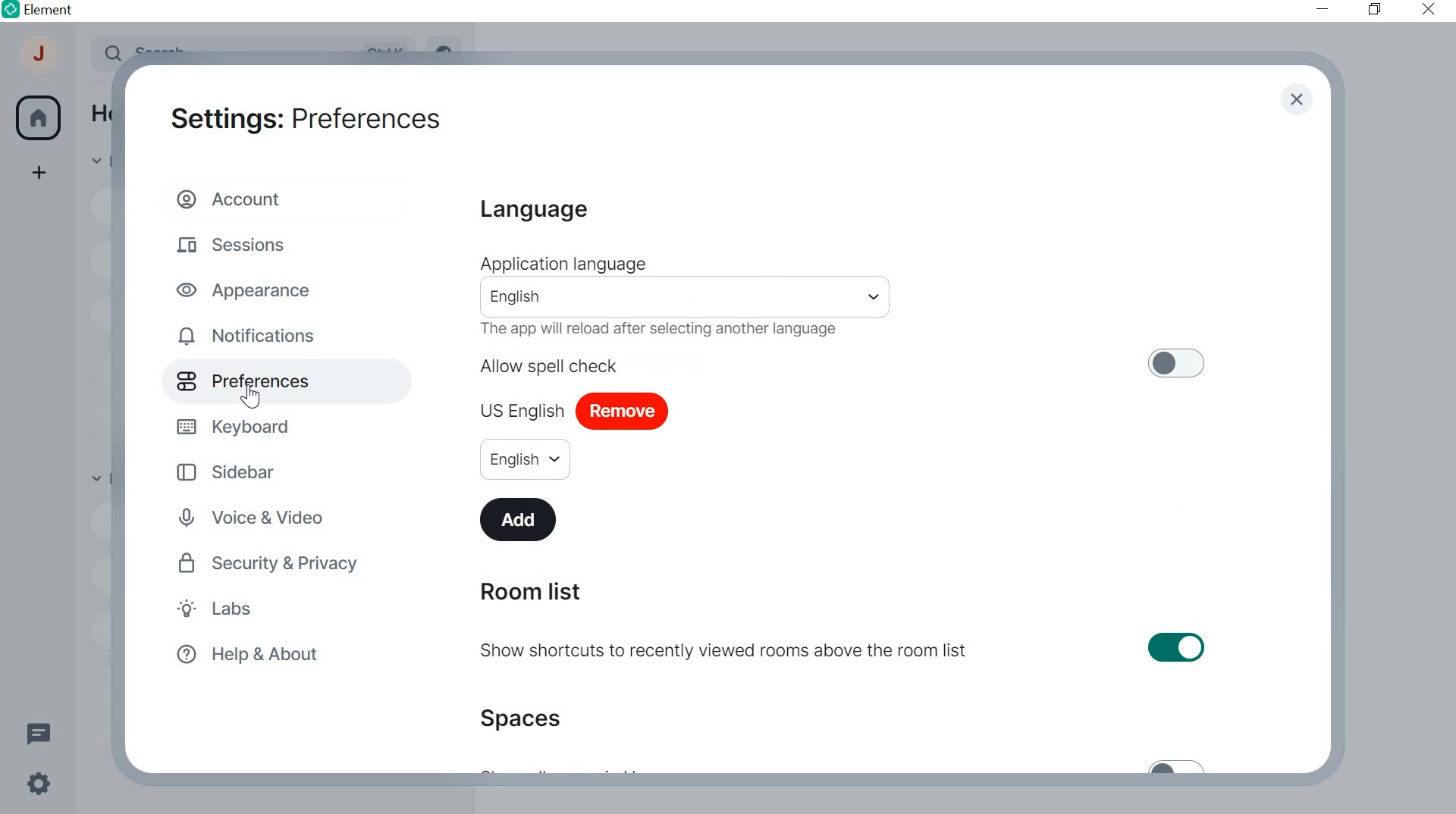  What do you see at coordinates (623, 412) in the screenshot?
I see `Remove` at bounding box center [623, 412].